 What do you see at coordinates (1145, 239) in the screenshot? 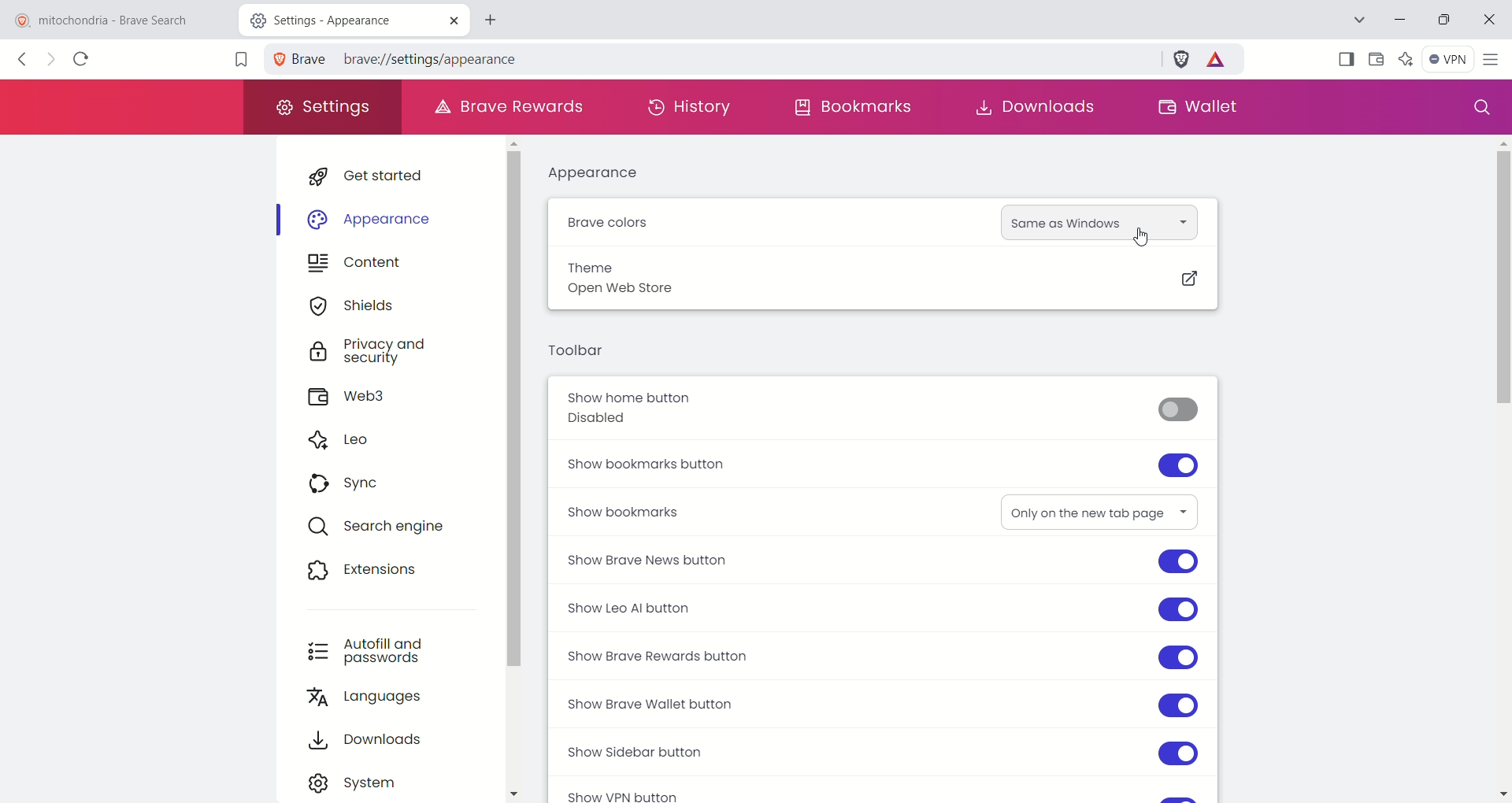
I see `cursor` at bounding box center [1145, 239].